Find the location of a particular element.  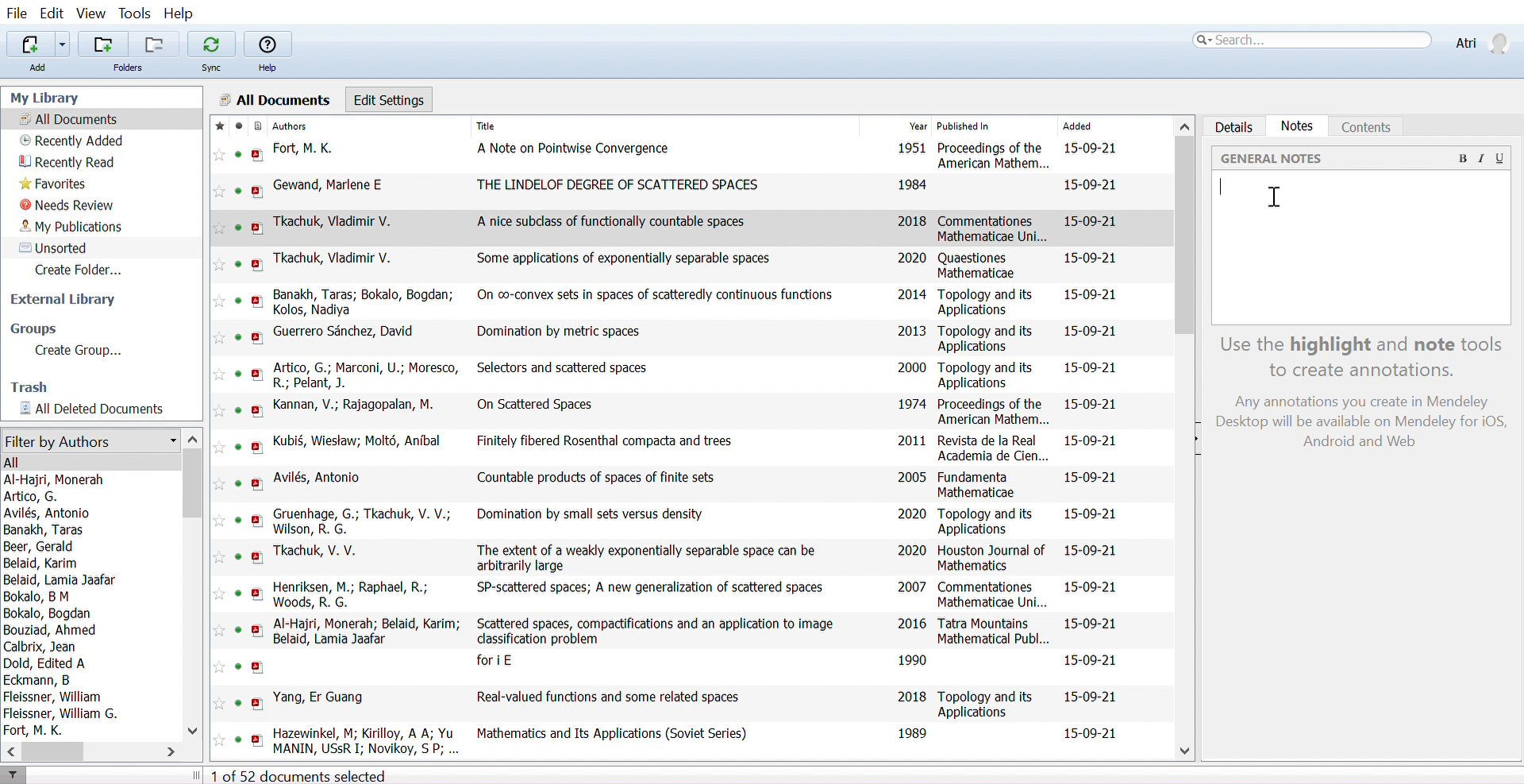

Avilés, Antonio is located at coordinates (47, 513).